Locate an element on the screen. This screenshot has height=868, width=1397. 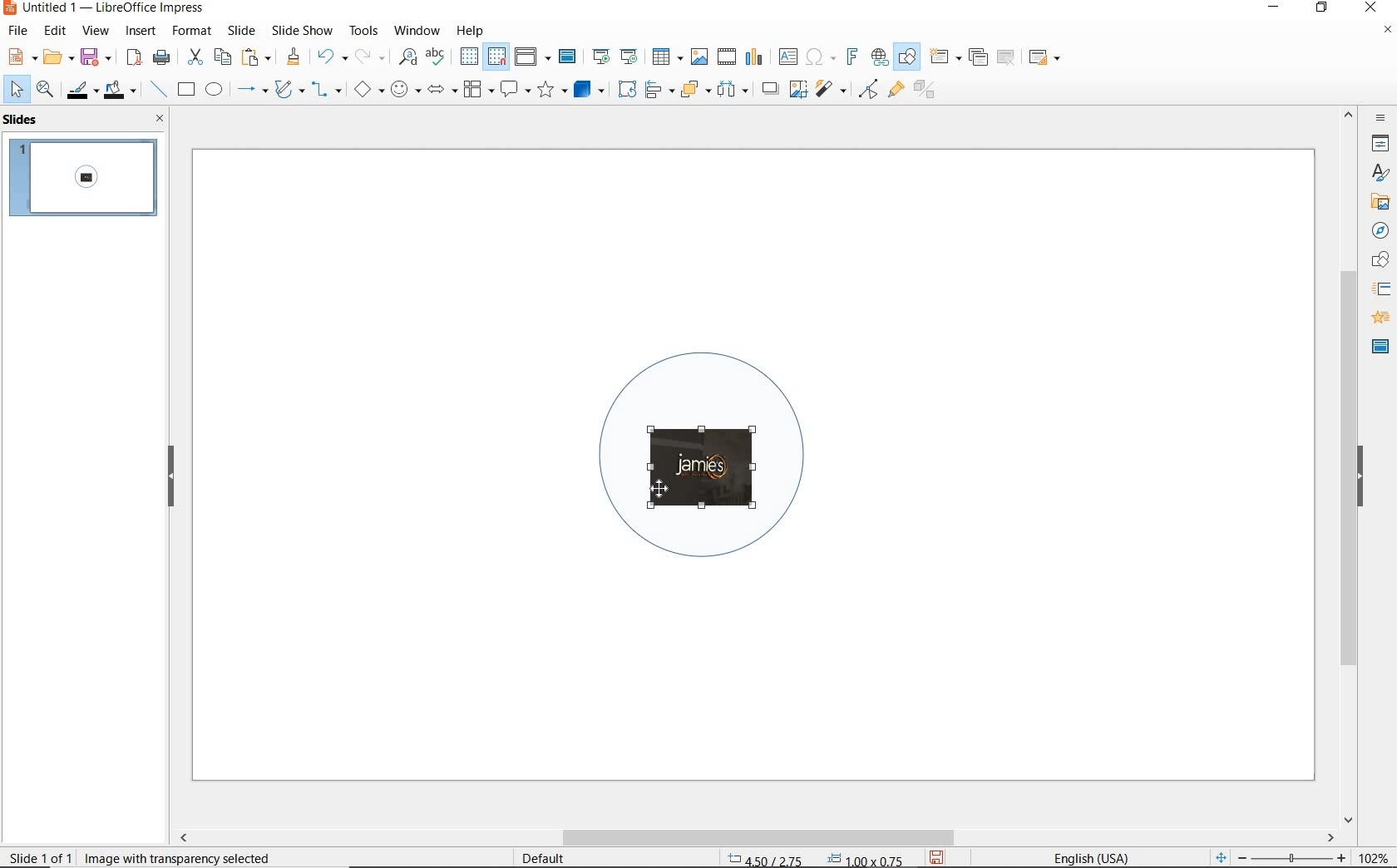
minimize is located at coordinates (1276, 9).